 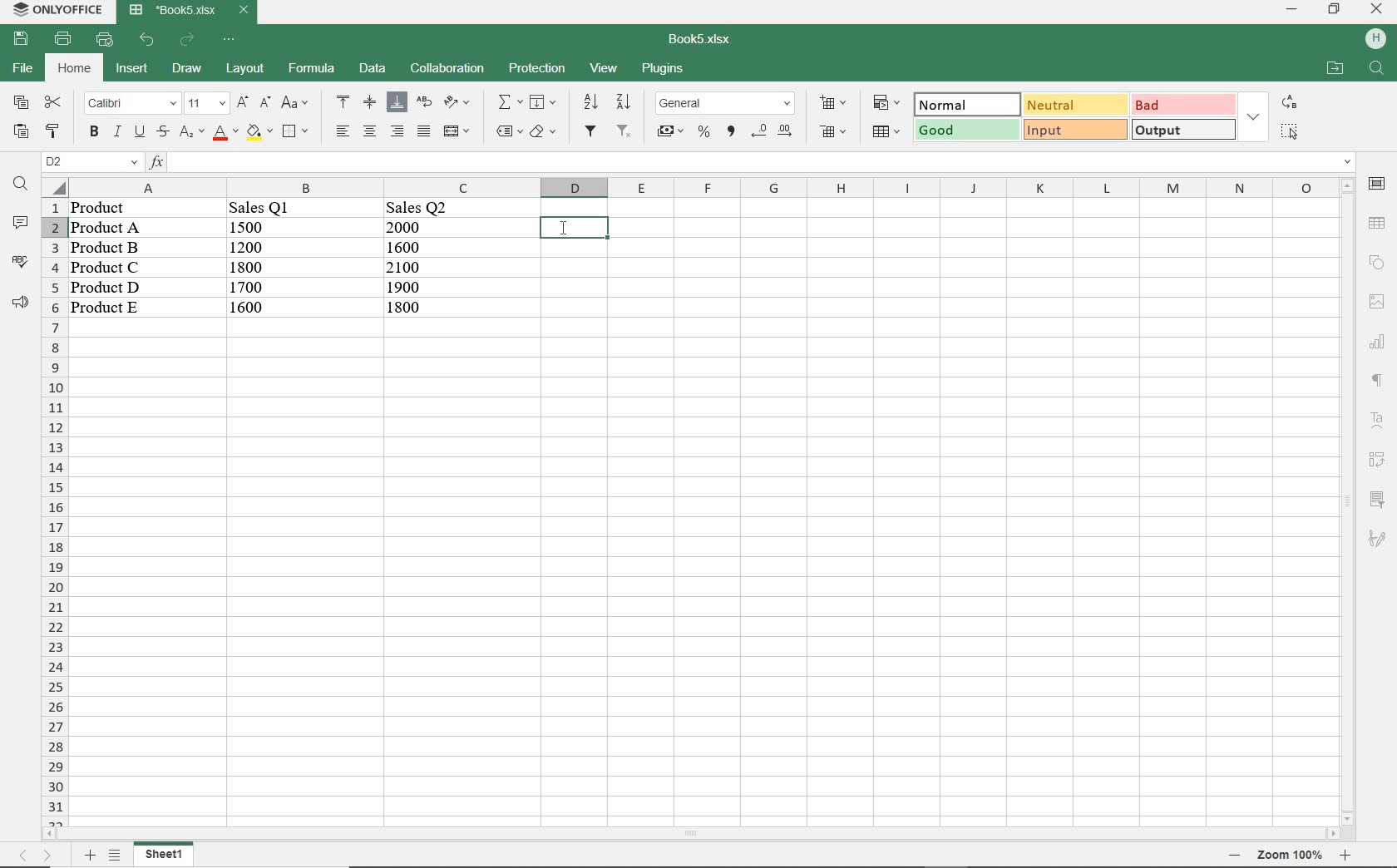 What do you see at coordinates (884, 131) in the screenshot?
I see `format as table template` at bounding box center [884, 131].